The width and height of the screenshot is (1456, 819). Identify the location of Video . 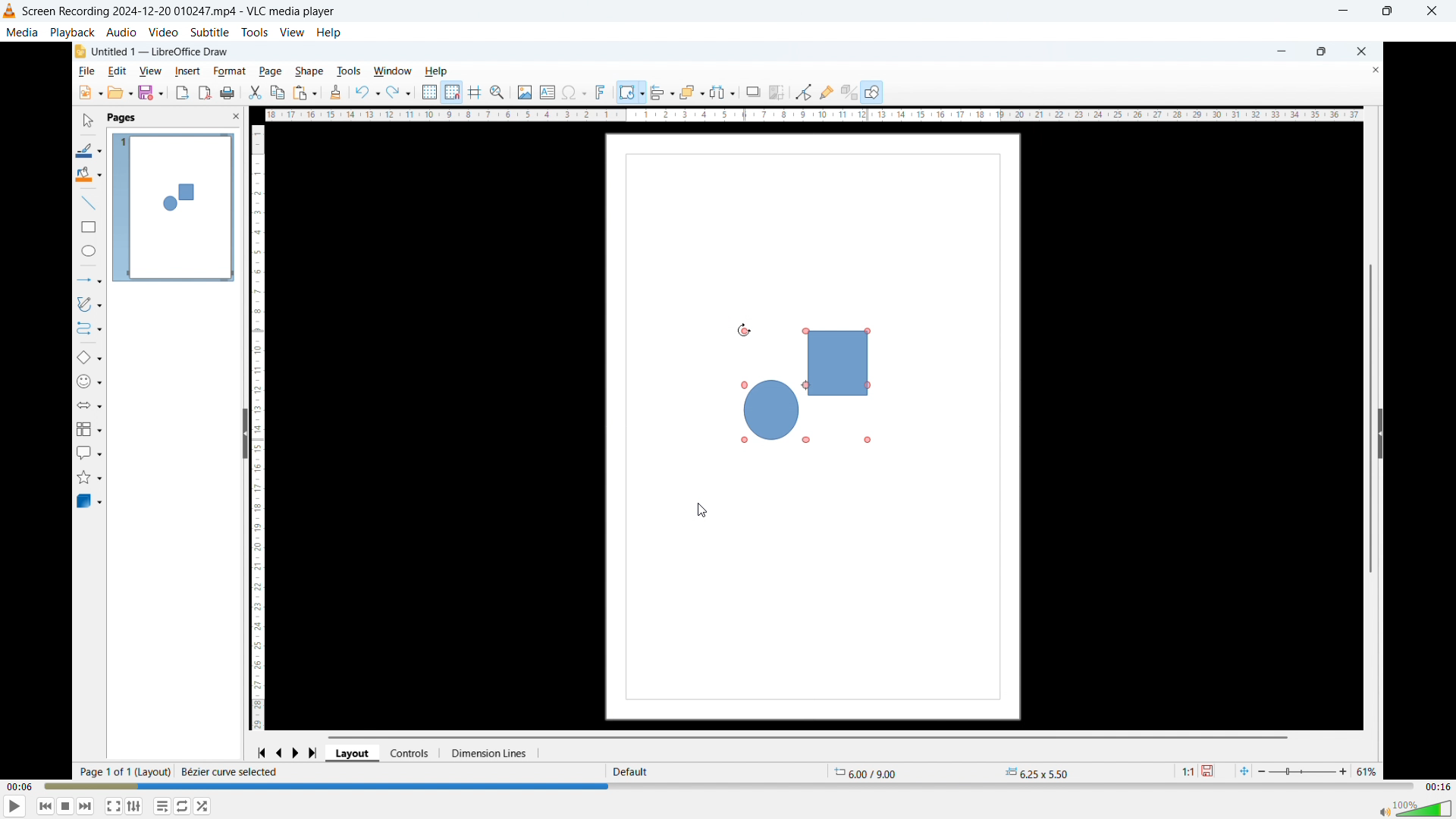
(162, 33).